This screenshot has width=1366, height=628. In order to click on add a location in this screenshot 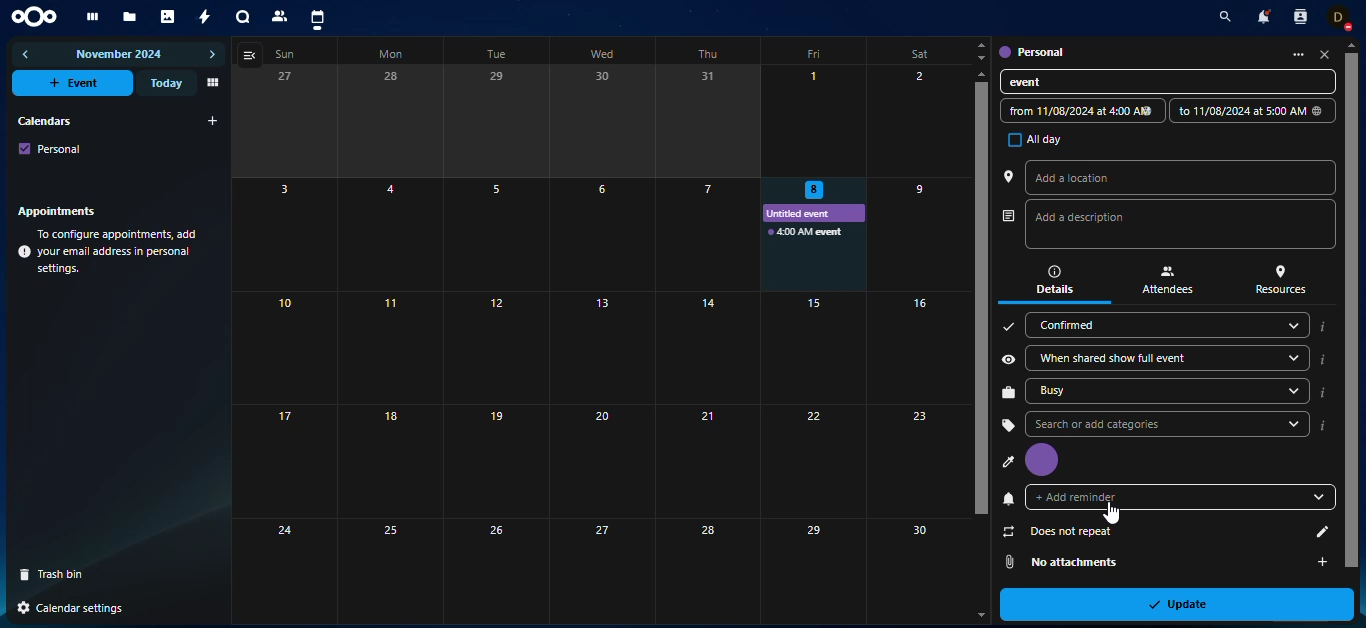, I will do `click(1092, 176)`.